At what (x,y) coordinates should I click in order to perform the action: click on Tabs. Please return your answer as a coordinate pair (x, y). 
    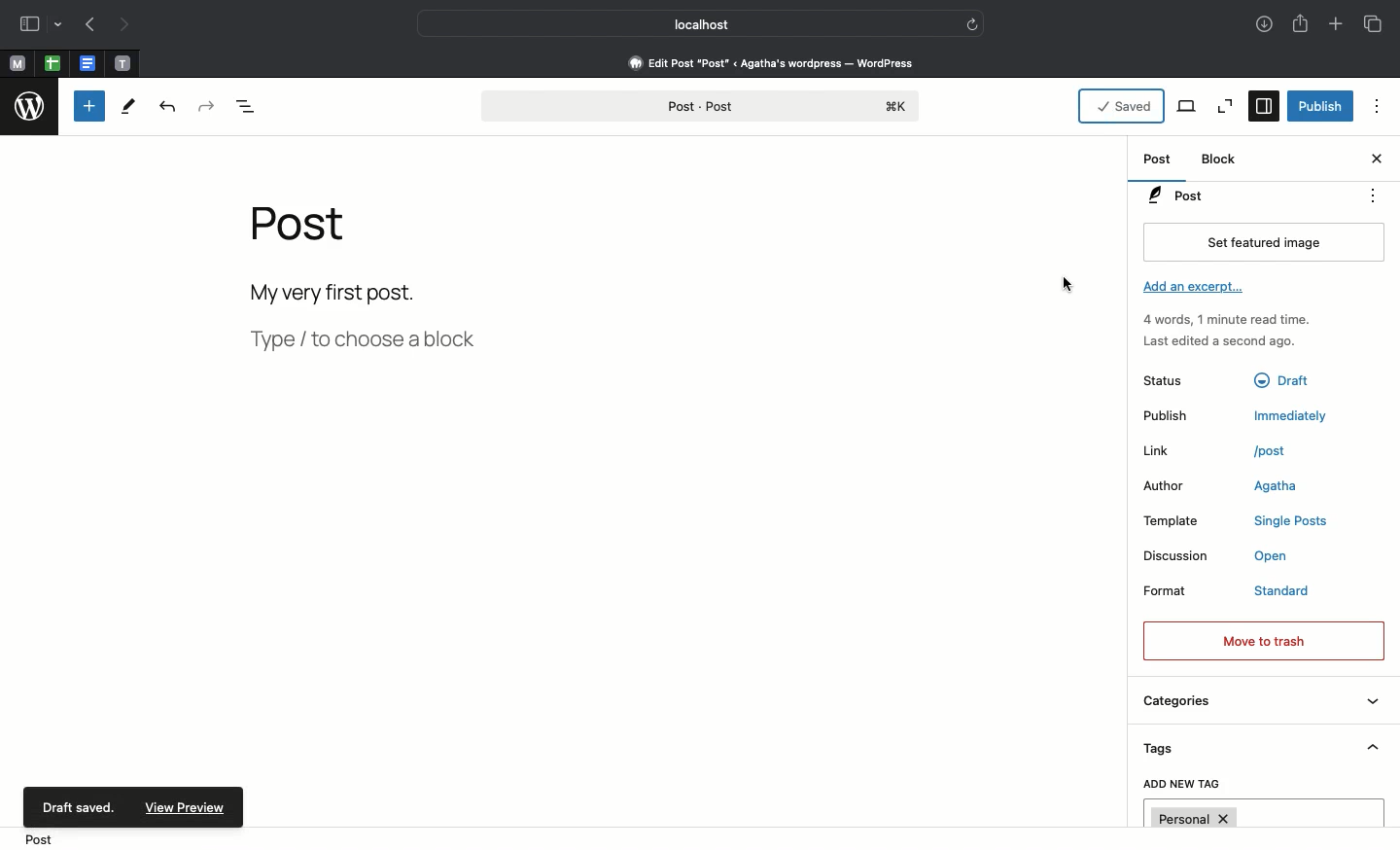
    Looking at the image, I should click on (1371, 22).